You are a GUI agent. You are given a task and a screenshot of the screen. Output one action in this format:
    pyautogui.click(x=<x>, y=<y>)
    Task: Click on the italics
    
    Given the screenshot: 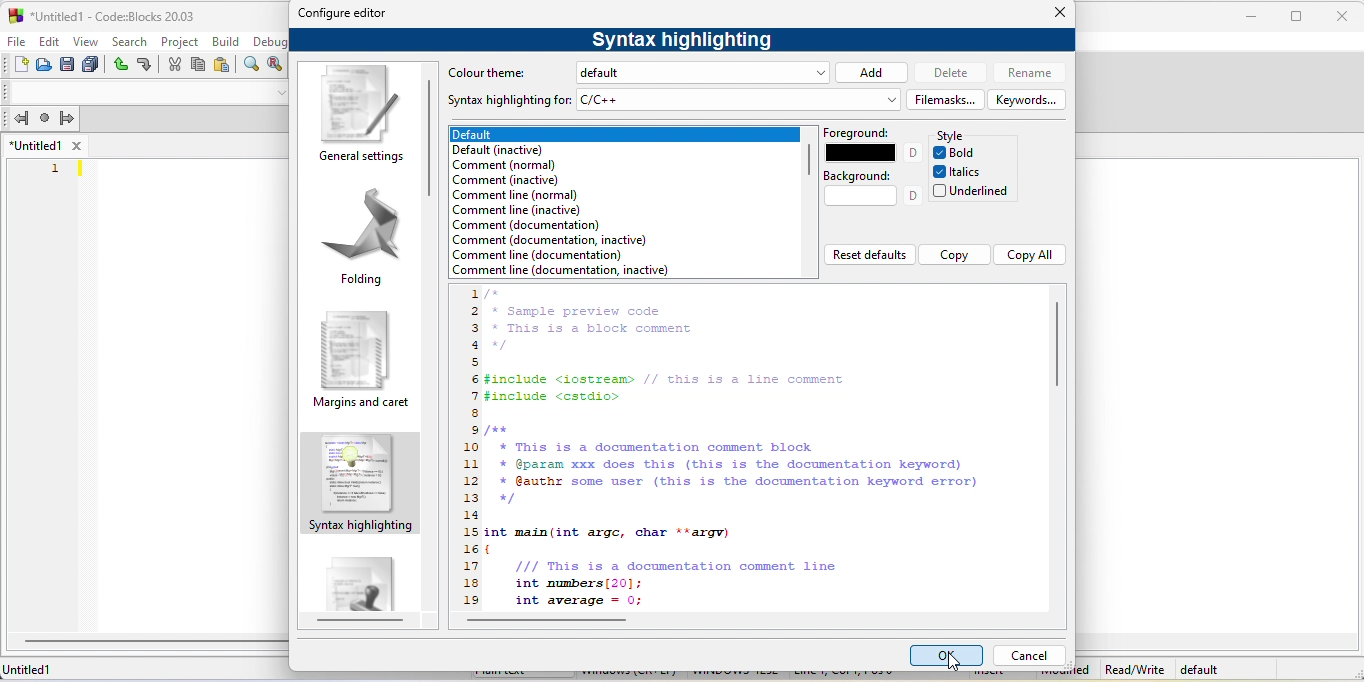 What is the action you would take?
    pyautogui.click(x=961, y=171)
    